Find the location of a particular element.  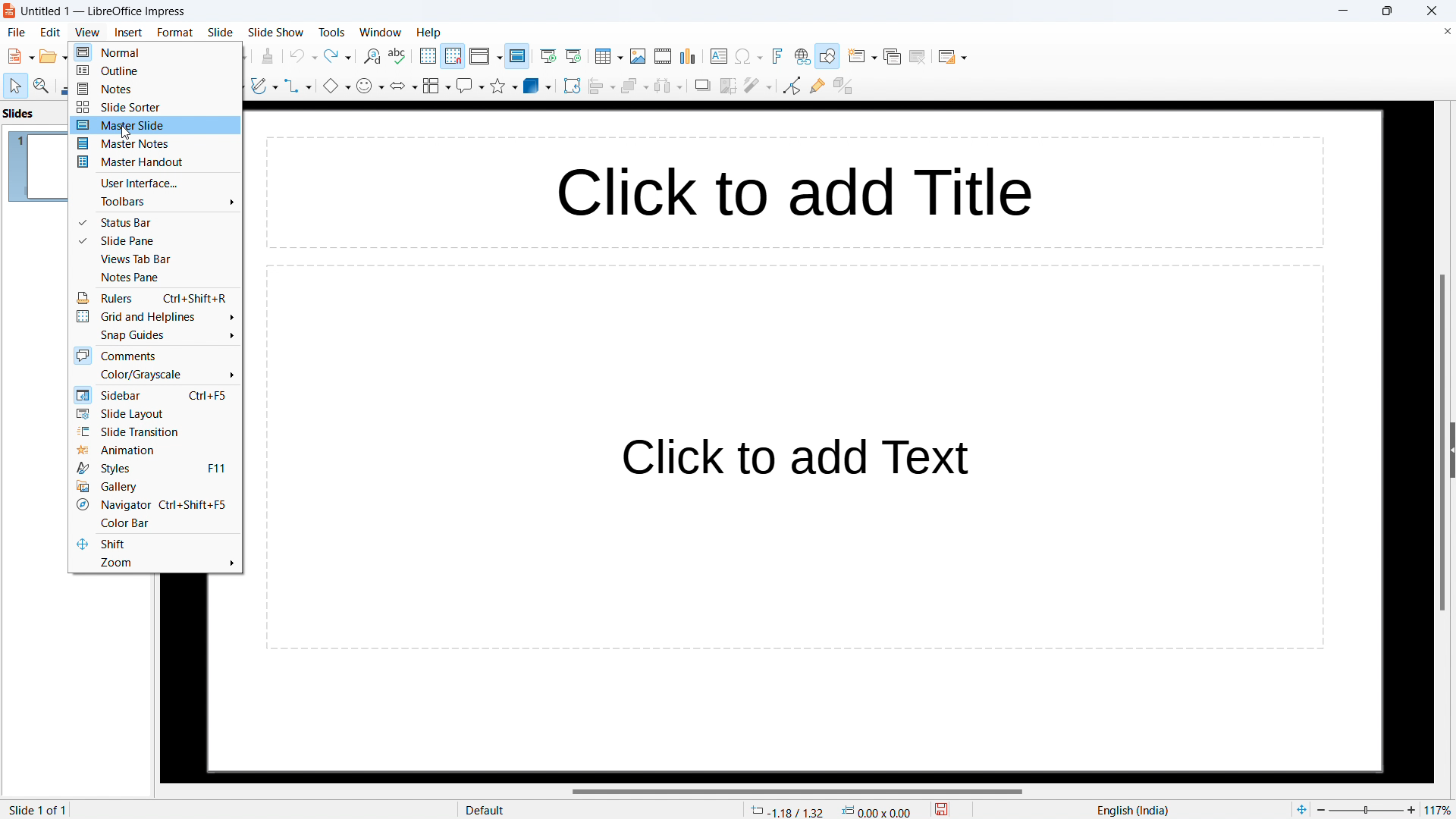

clone formatting is located at coordinates (268, 57).